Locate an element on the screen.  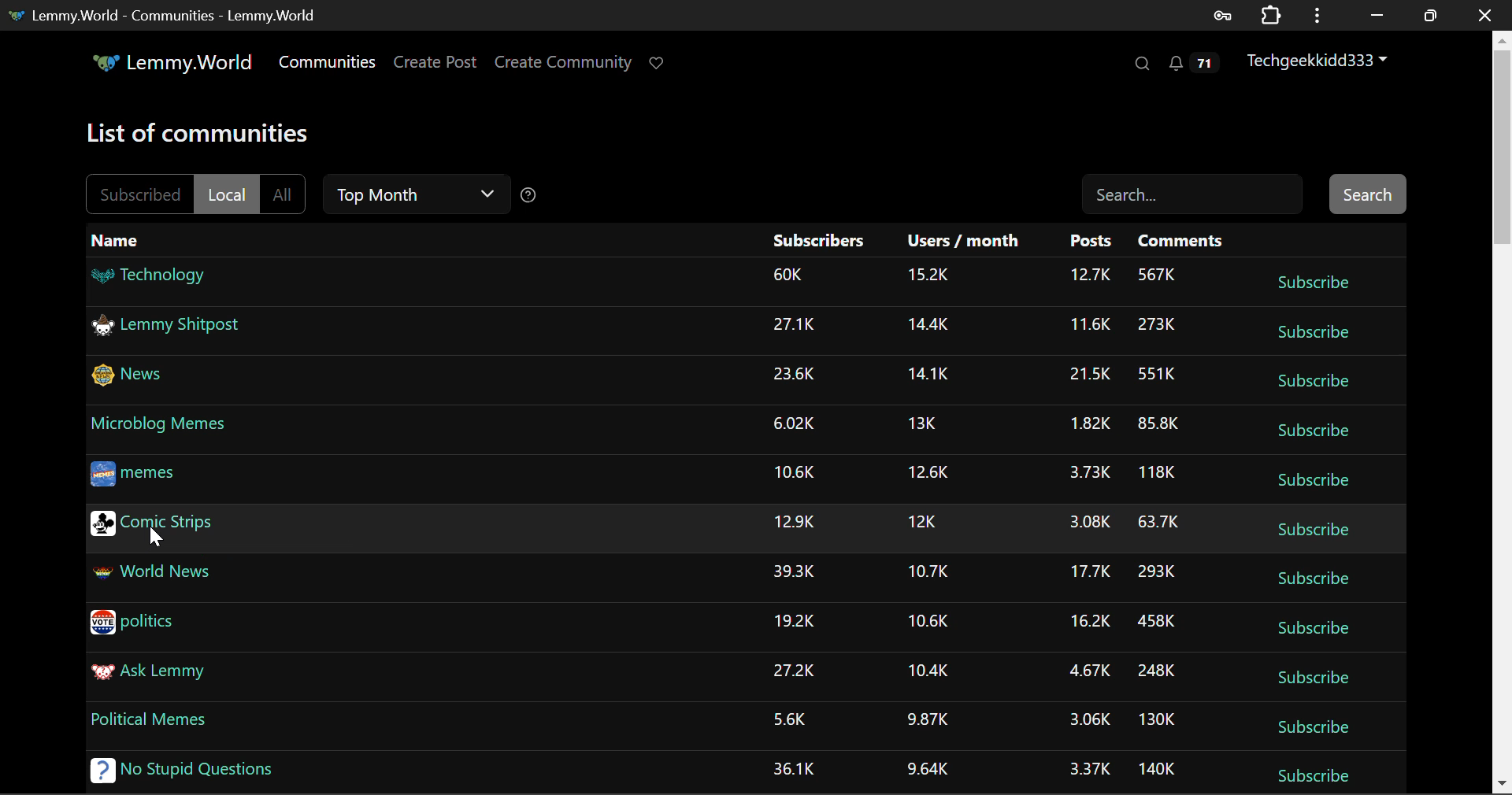
Techgeekkidd333 is located at coordinates (1314, 62).